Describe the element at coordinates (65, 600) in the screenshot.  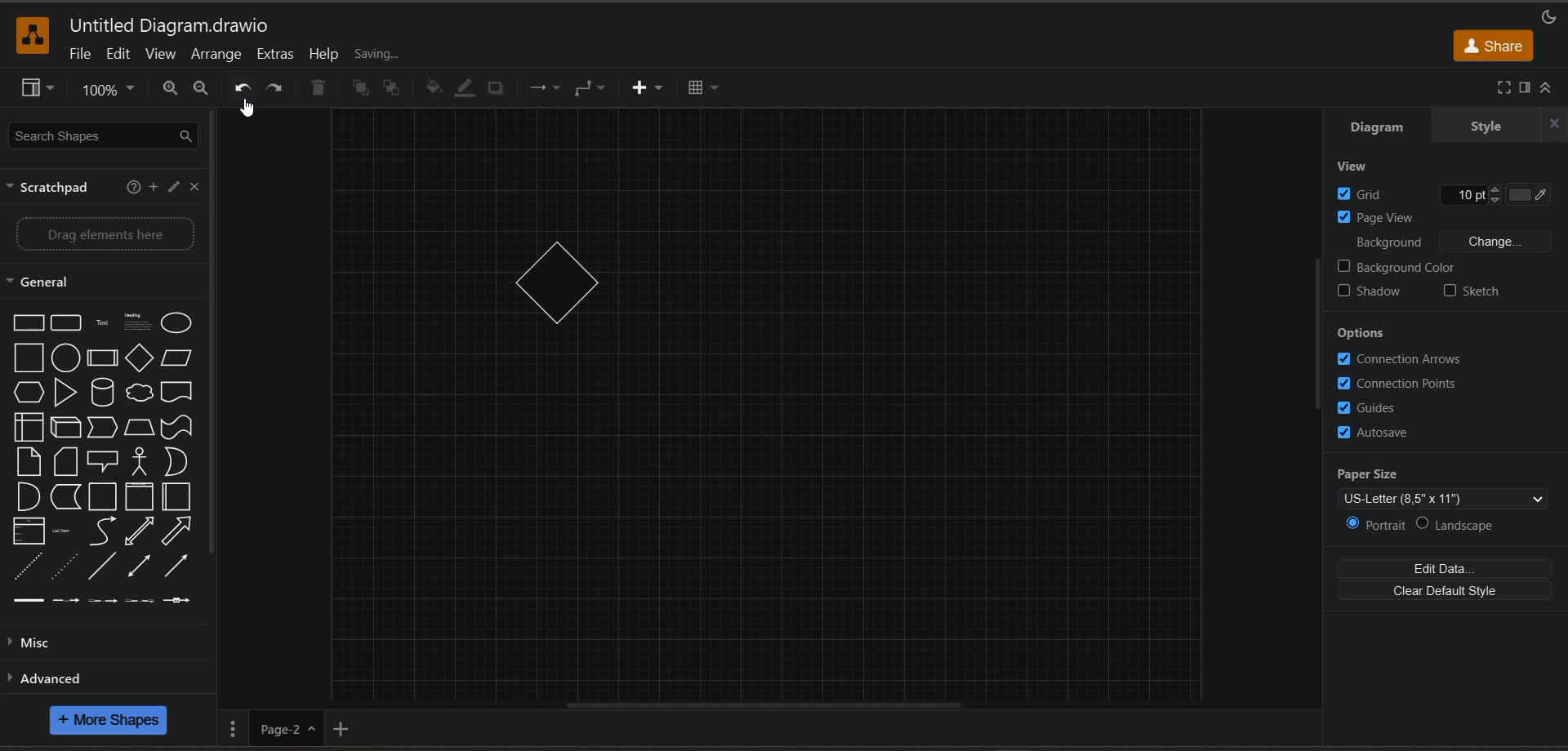
I see `Connector with Label` at that location.